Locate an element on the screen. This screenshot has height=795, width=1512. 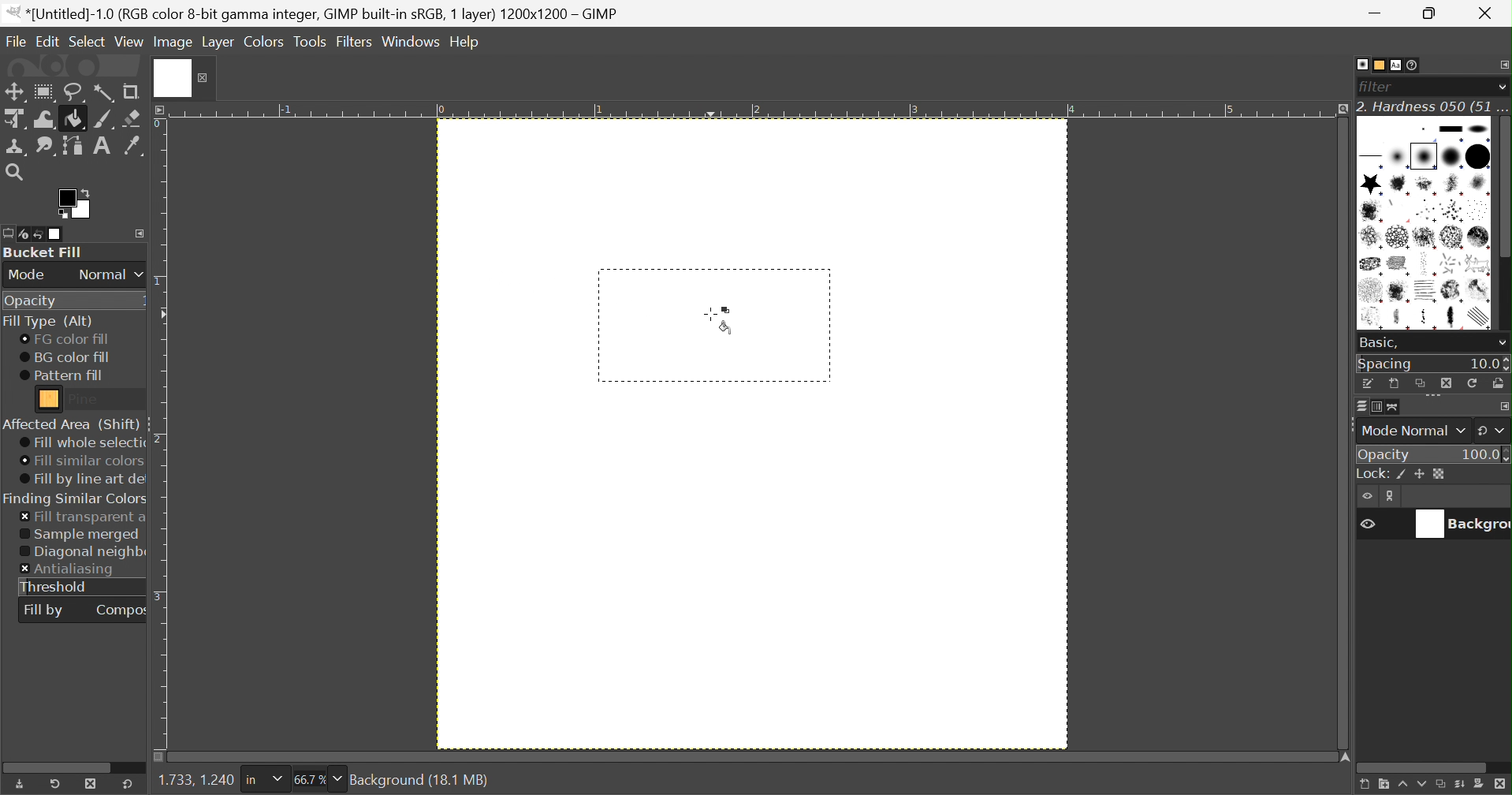
Free Select Tool is located at coordinates (75, 93).